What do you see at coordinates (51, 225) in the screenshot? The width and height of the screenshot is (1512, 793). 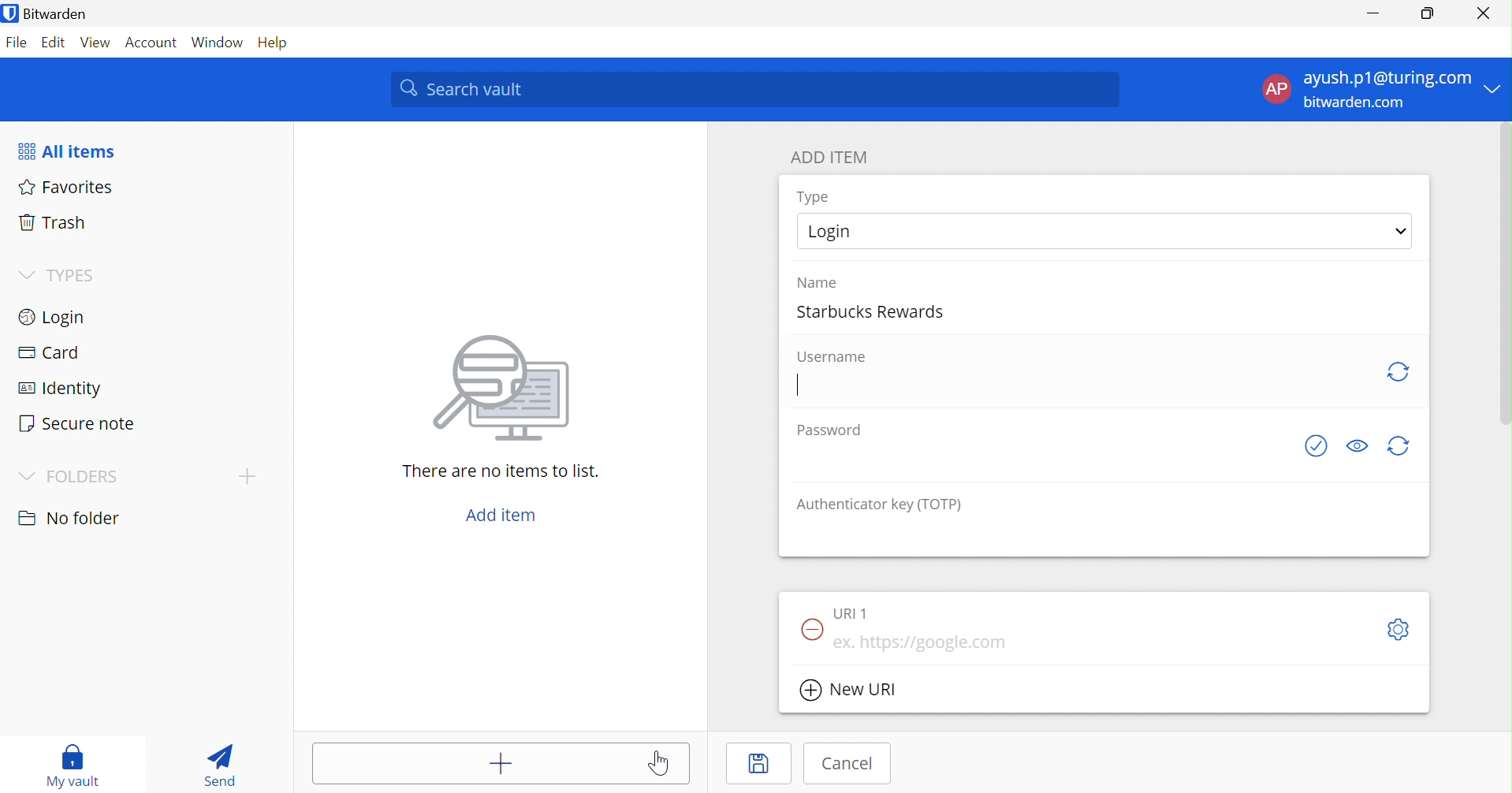 I see `Trash` at bounding box center [51, 225].